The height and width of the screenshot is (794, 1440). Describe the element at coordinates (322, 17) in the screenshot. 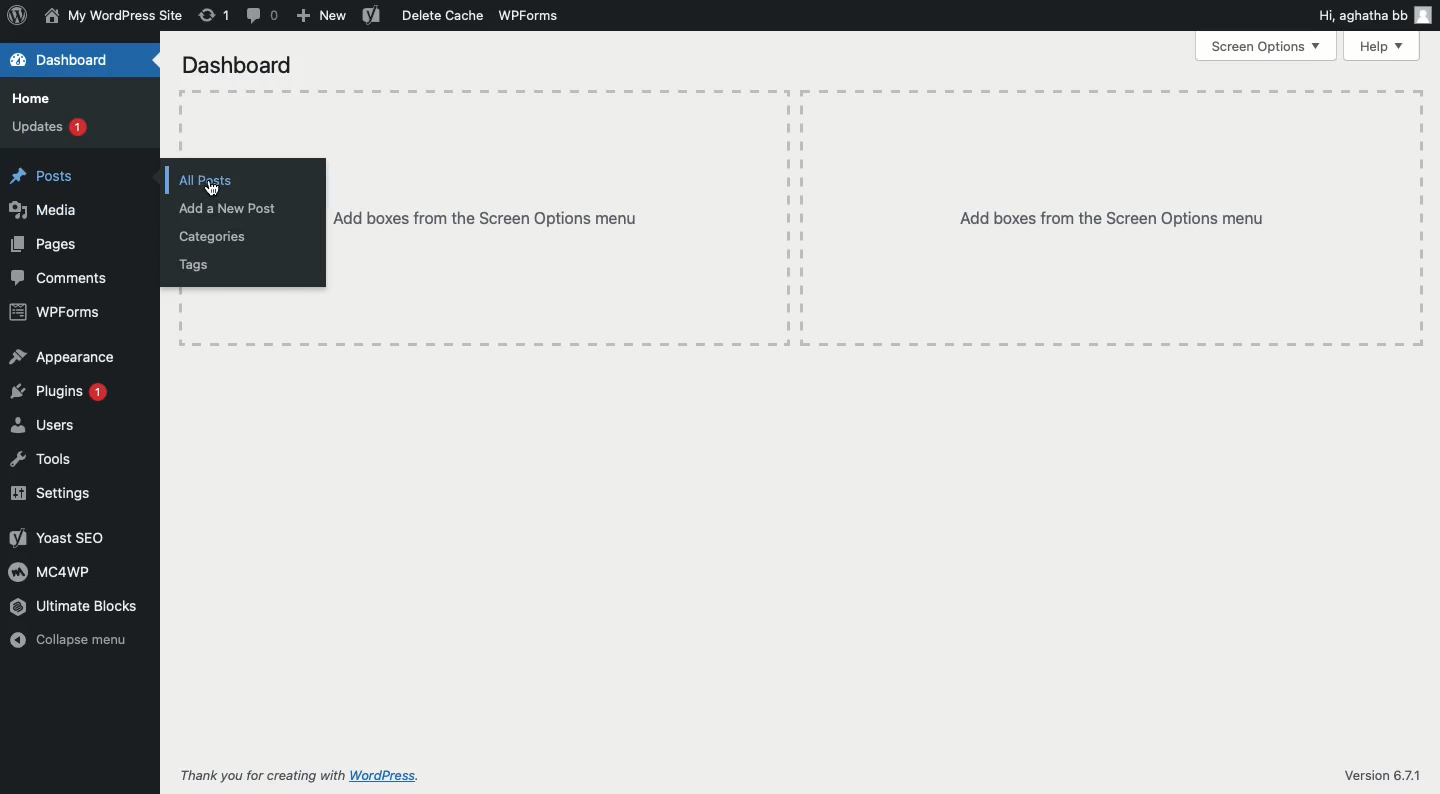

I see `New` at that location.